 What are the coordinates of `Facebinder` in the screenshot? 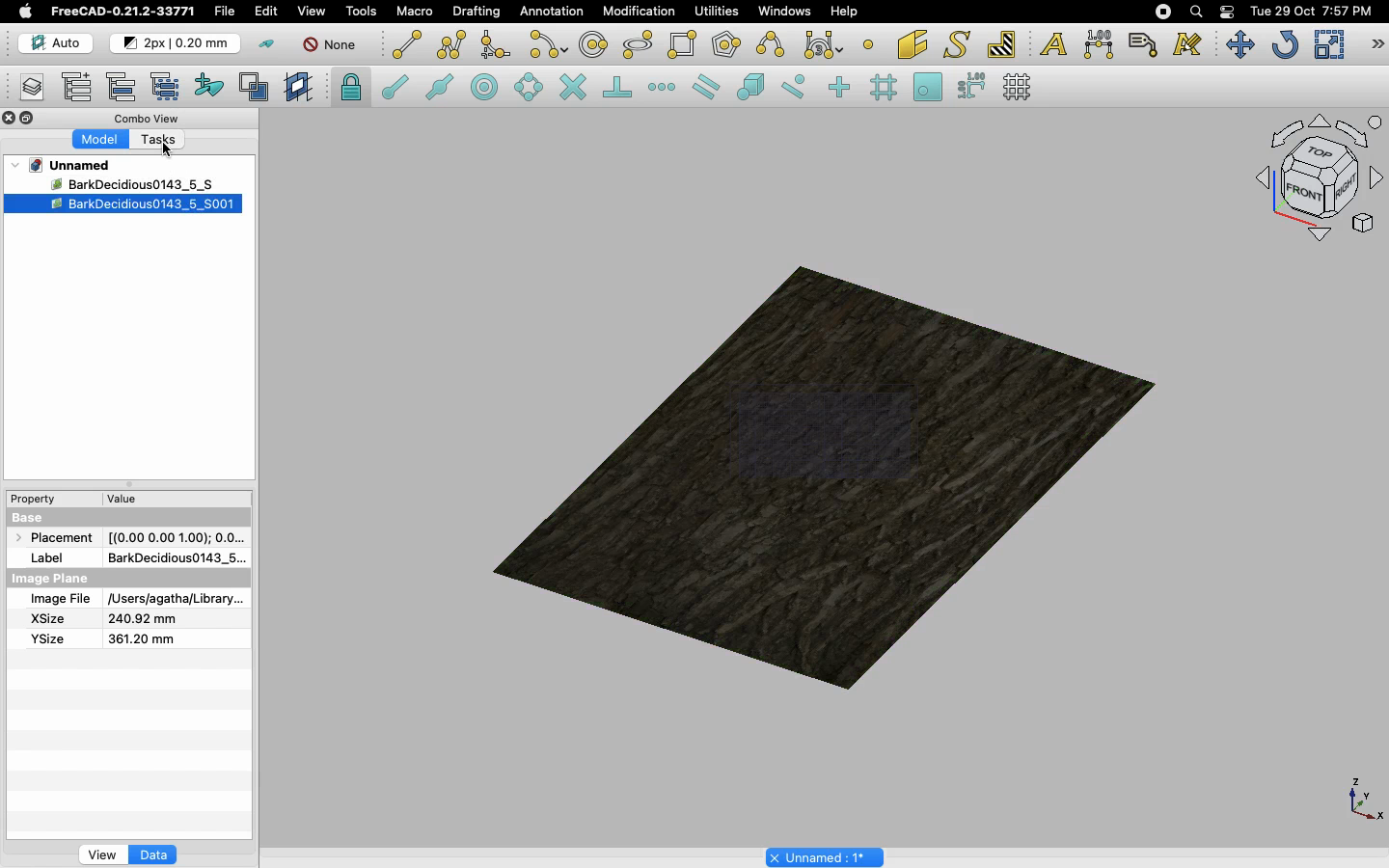 It's located at (912, 46).